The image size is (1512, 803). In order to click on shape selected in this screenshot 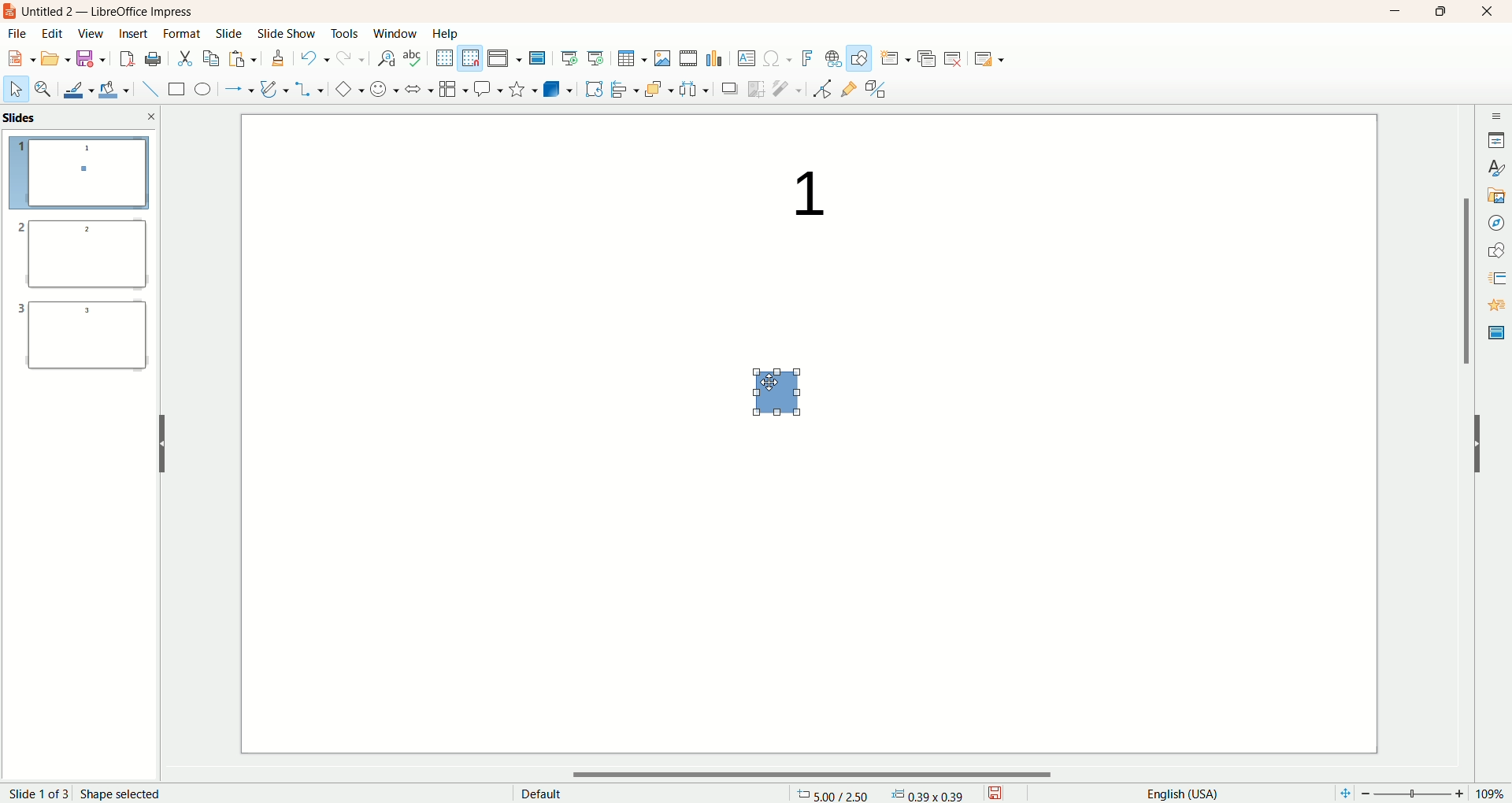, I will do `click(124, 792)`.